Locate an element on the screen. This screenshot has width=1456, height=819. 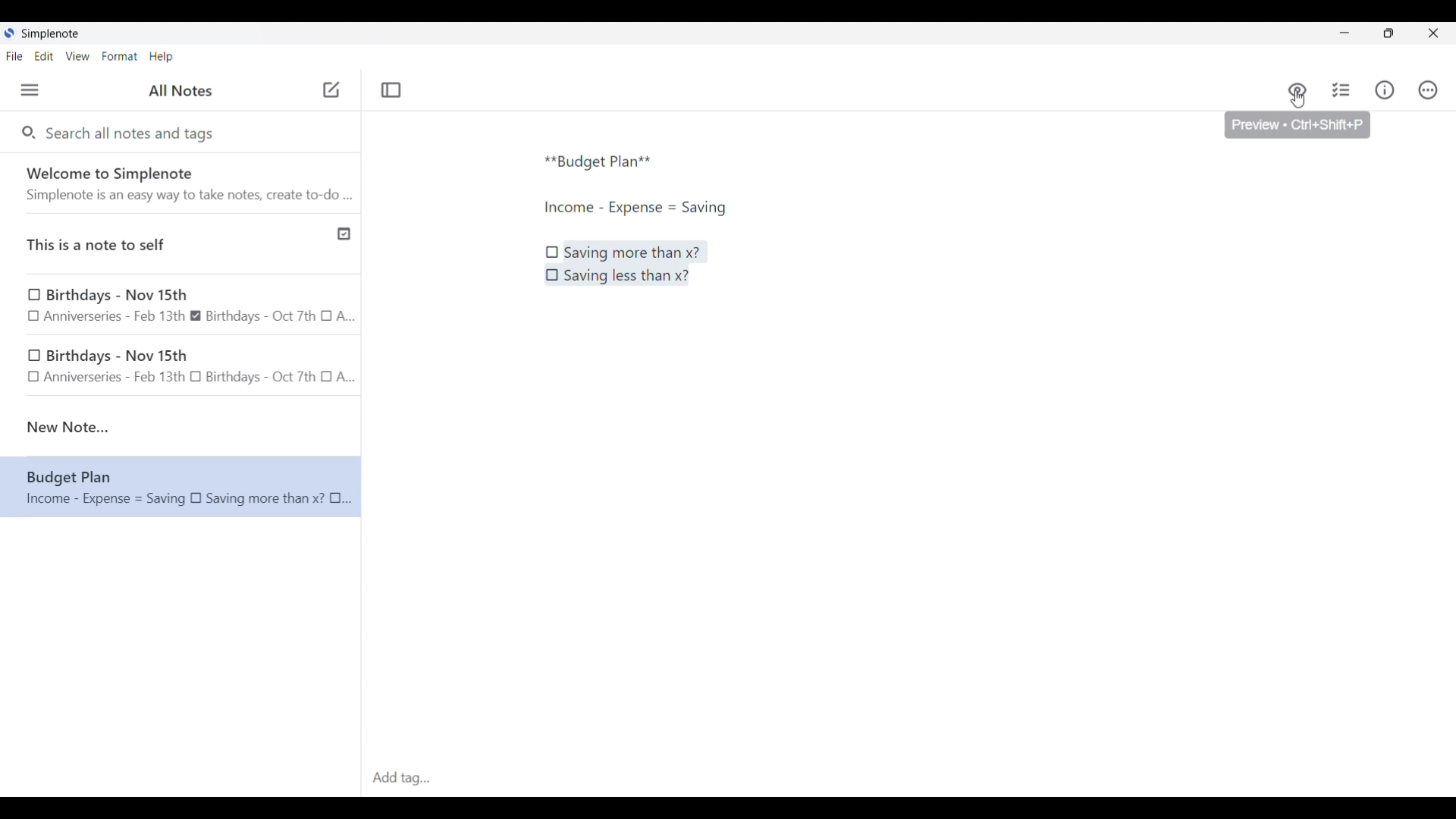
new note is located at coordinates (180, 427).